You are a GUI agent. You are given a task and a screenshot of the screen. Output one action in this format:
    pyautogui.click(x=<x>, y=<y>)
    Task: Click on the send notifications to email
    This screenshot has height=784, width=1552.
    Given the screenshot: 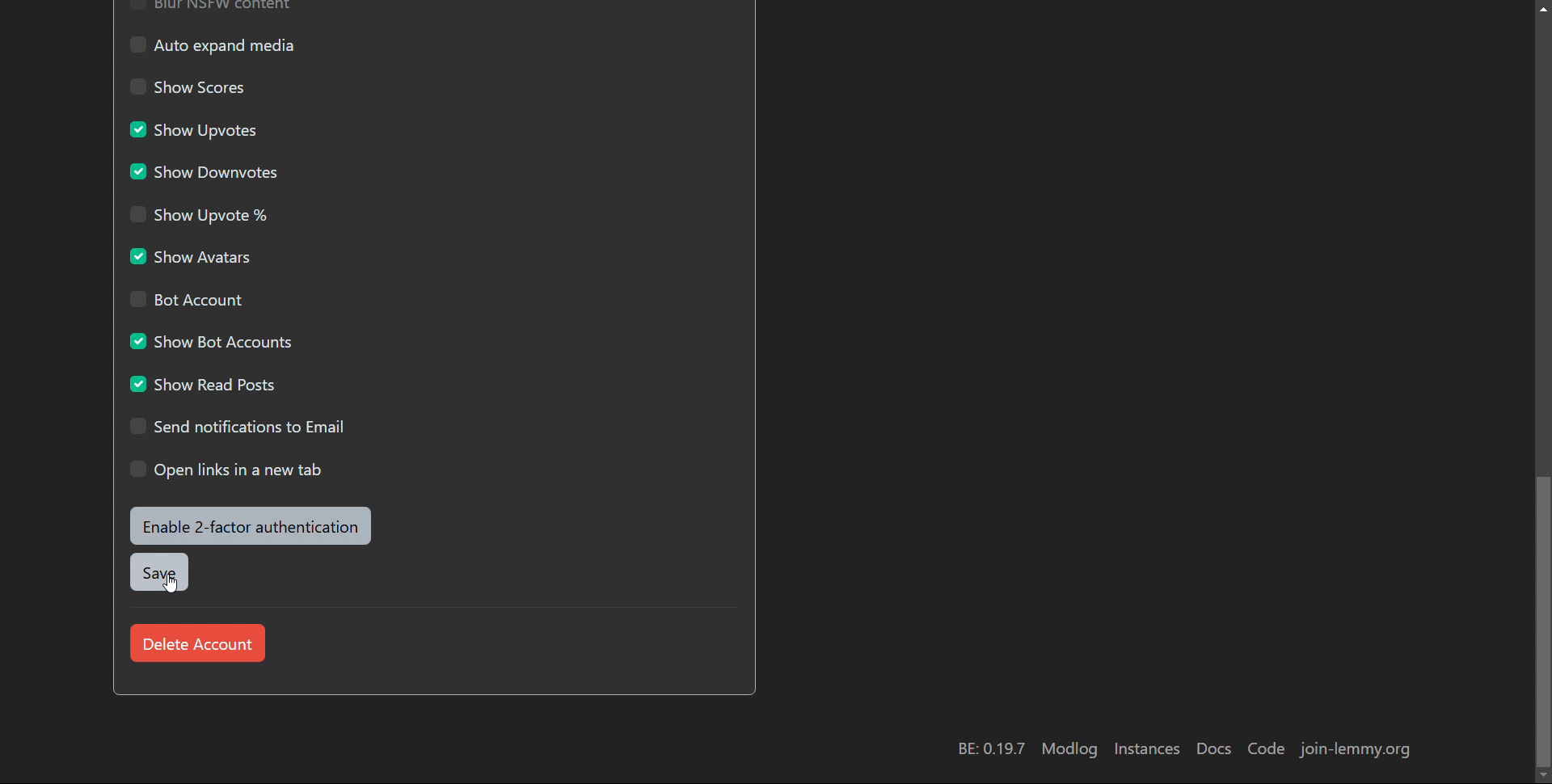 What is the action you would take?
    pyautogui.click(x=240, y=427)
    